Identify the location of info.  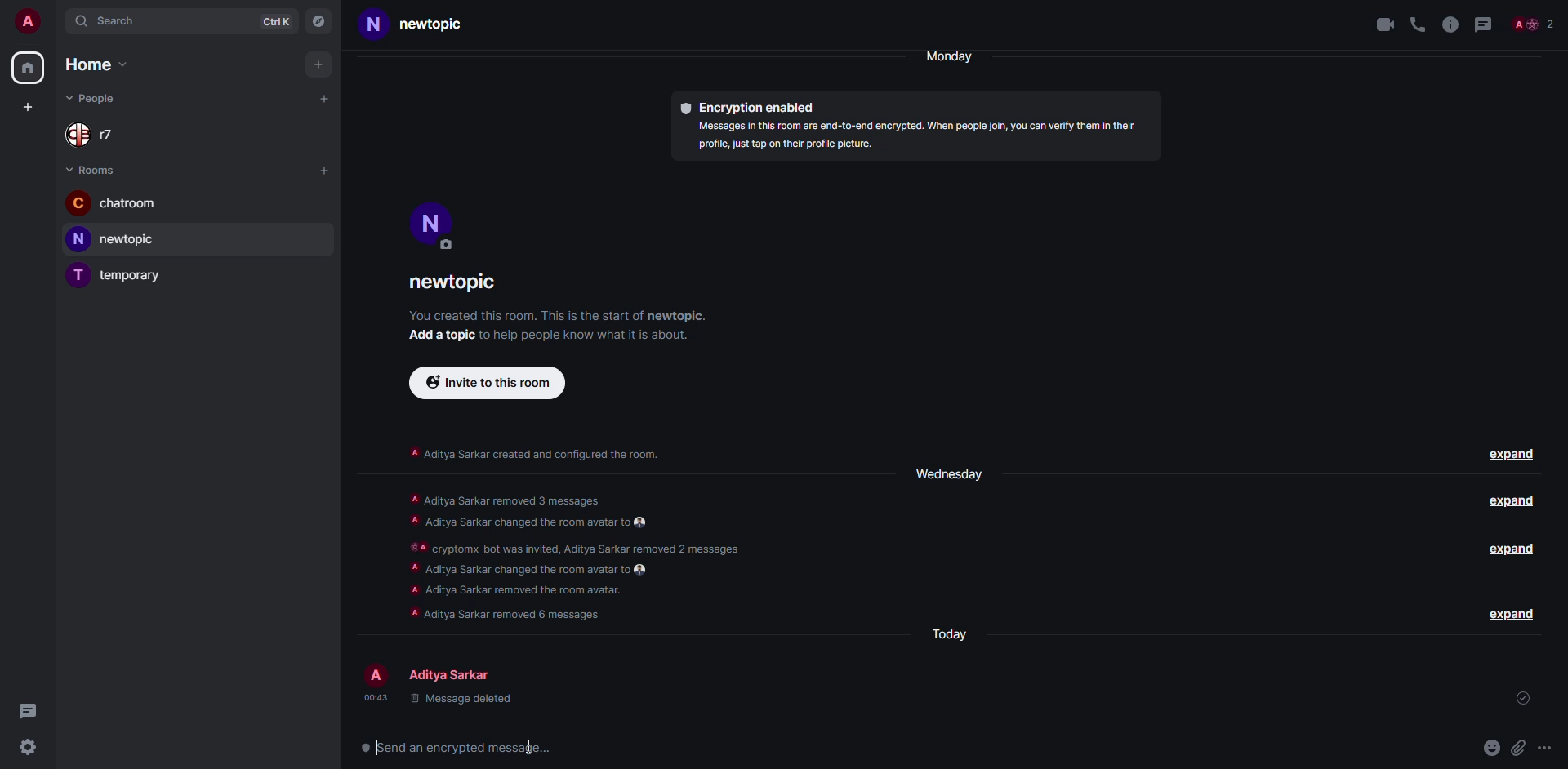
(921, 137).